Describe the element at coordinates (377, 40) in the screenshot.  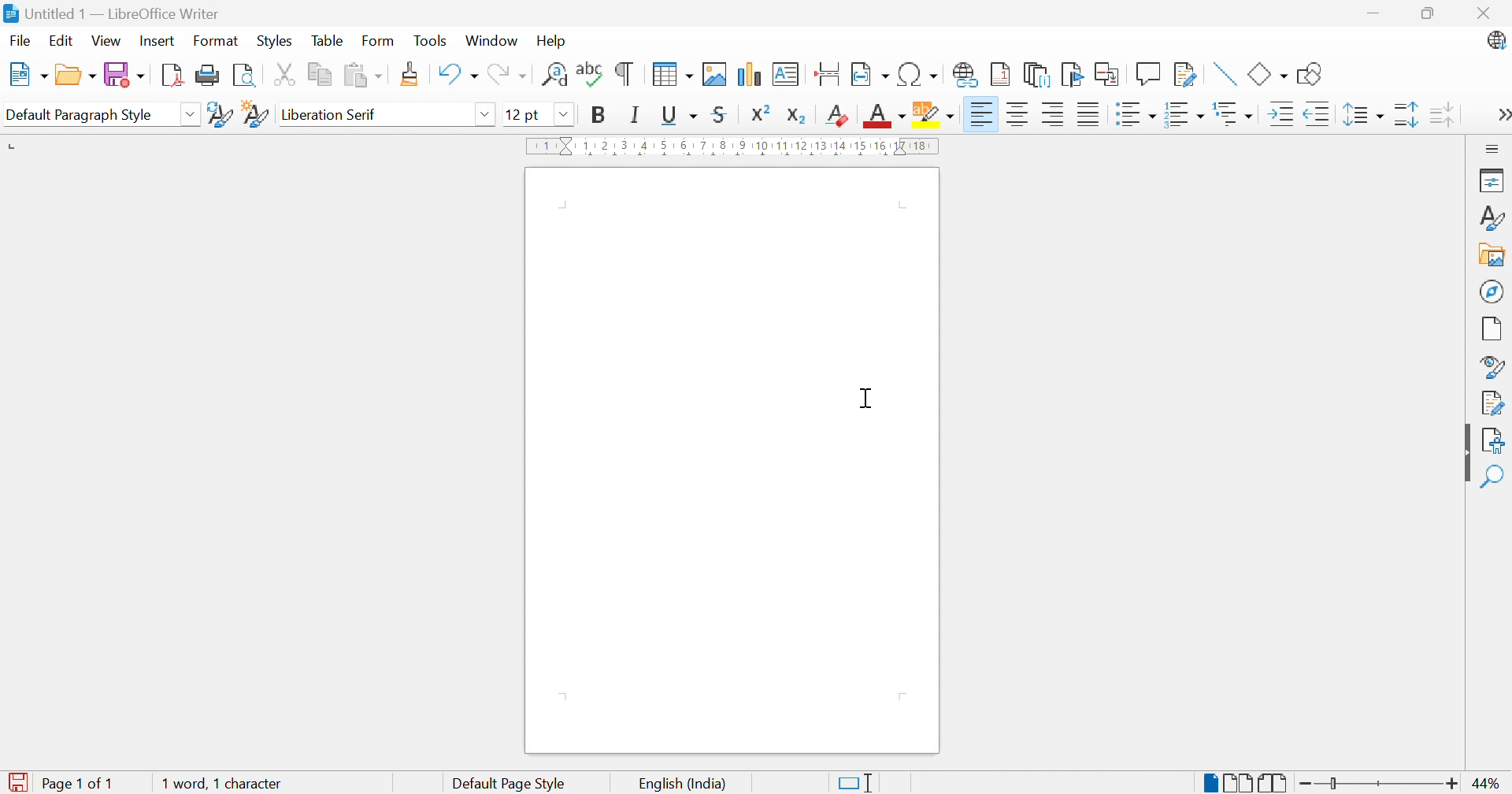
I see `Form` at that location.